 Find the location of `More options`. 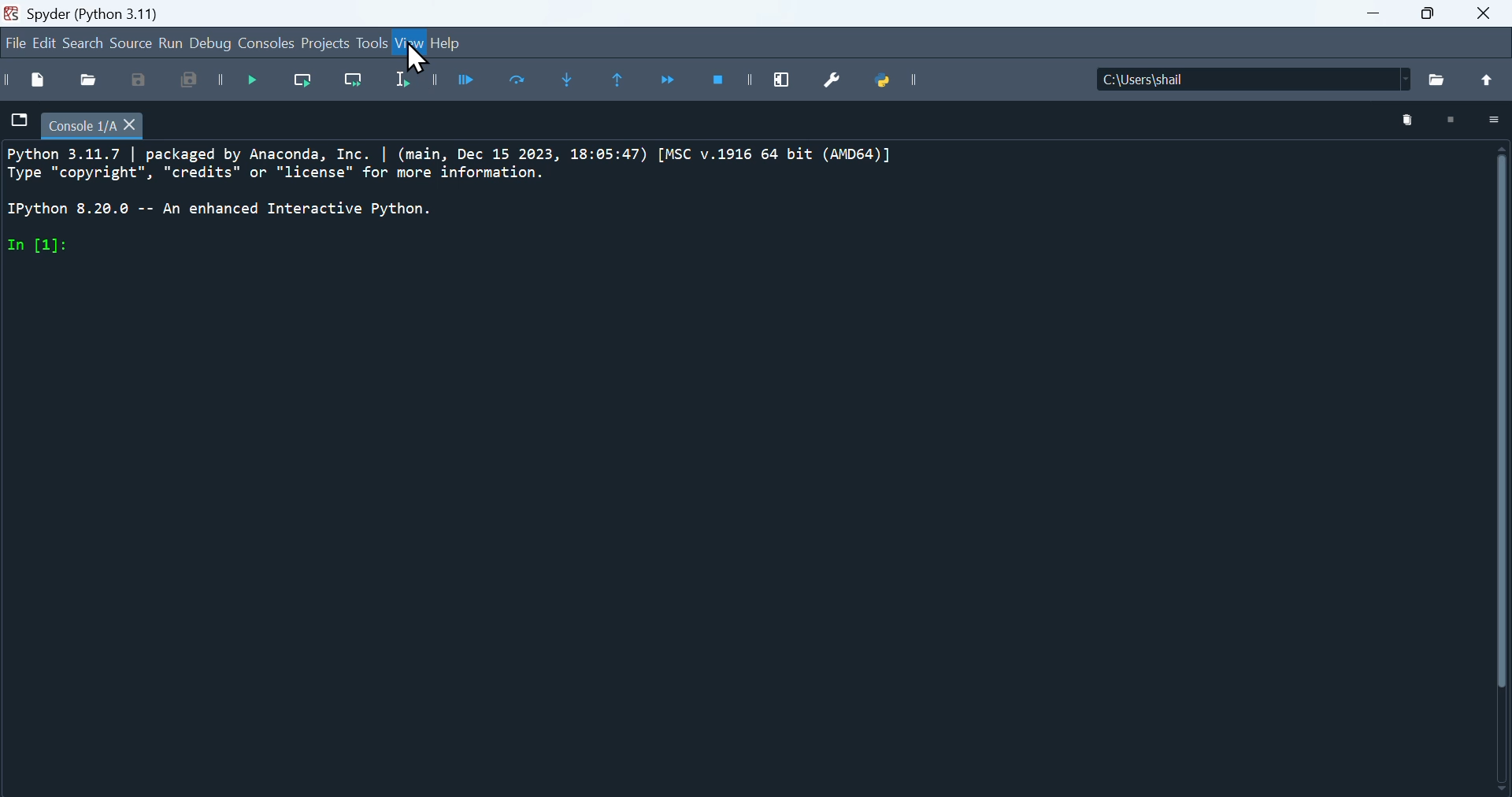

More options is located at coordinates (1494, 119).